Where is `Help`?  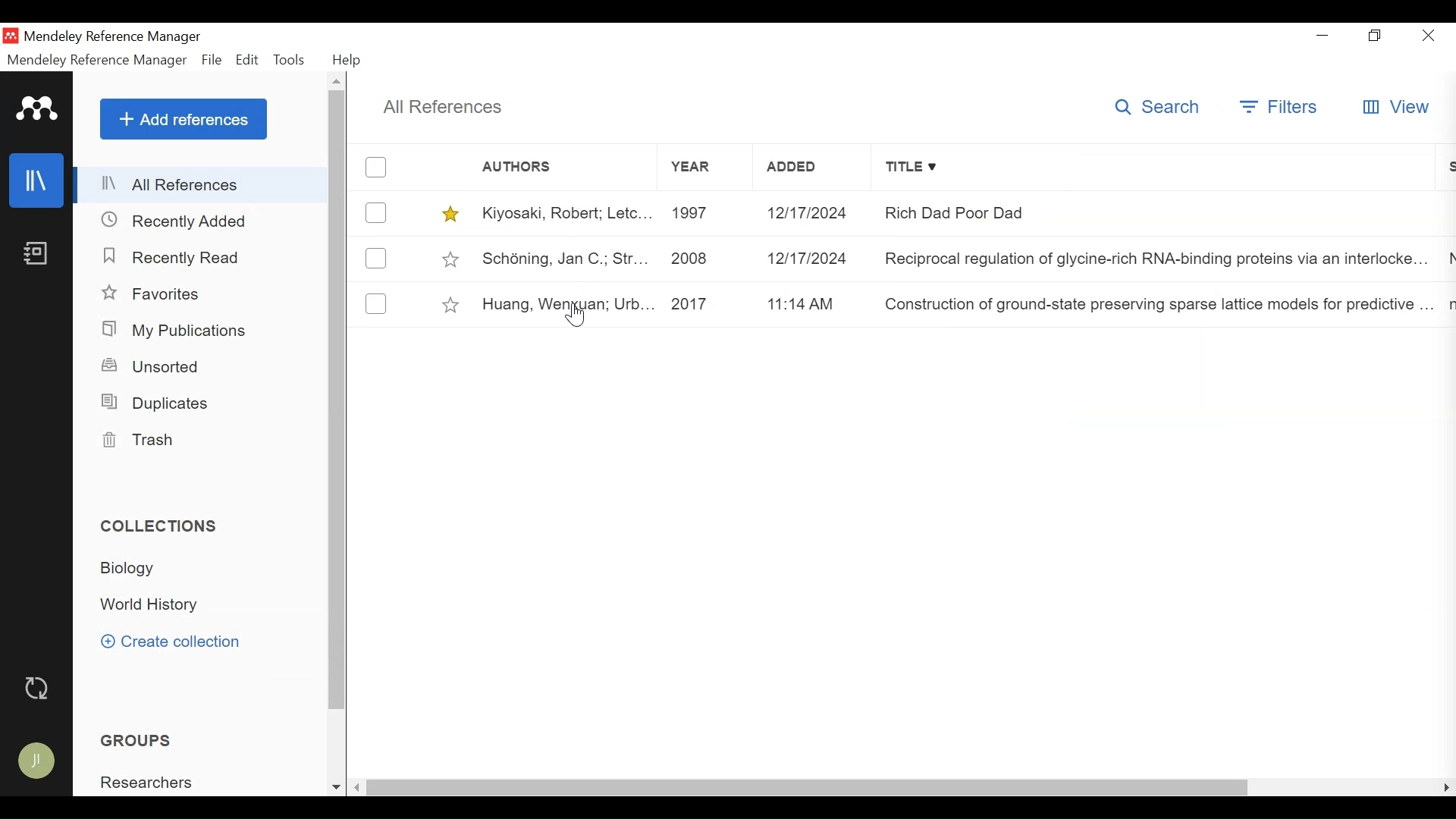
Help is located at coordinates (352, 61).